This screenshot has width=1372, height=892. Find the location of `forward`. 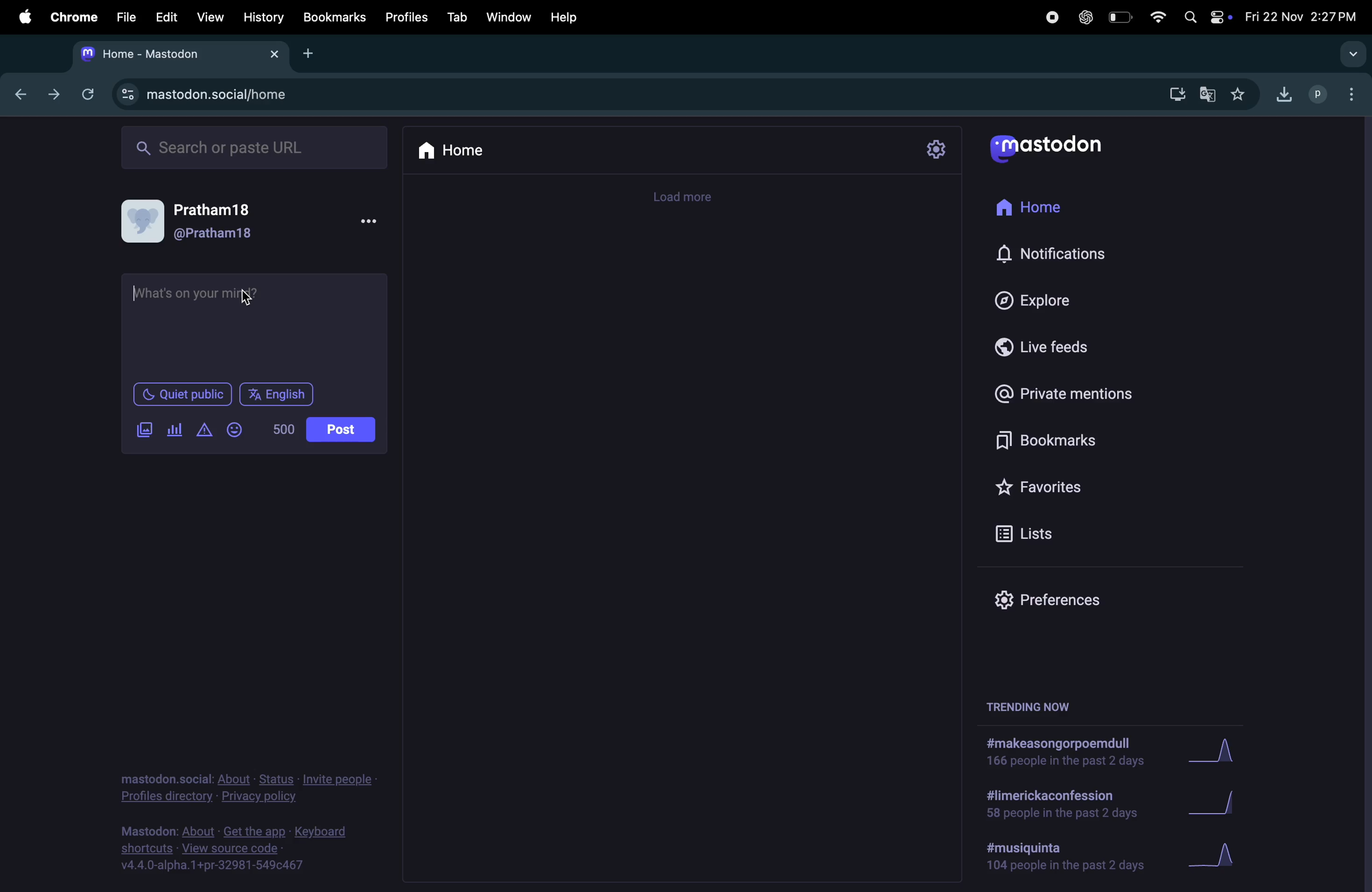

forward is located at coordinates (52, 95).